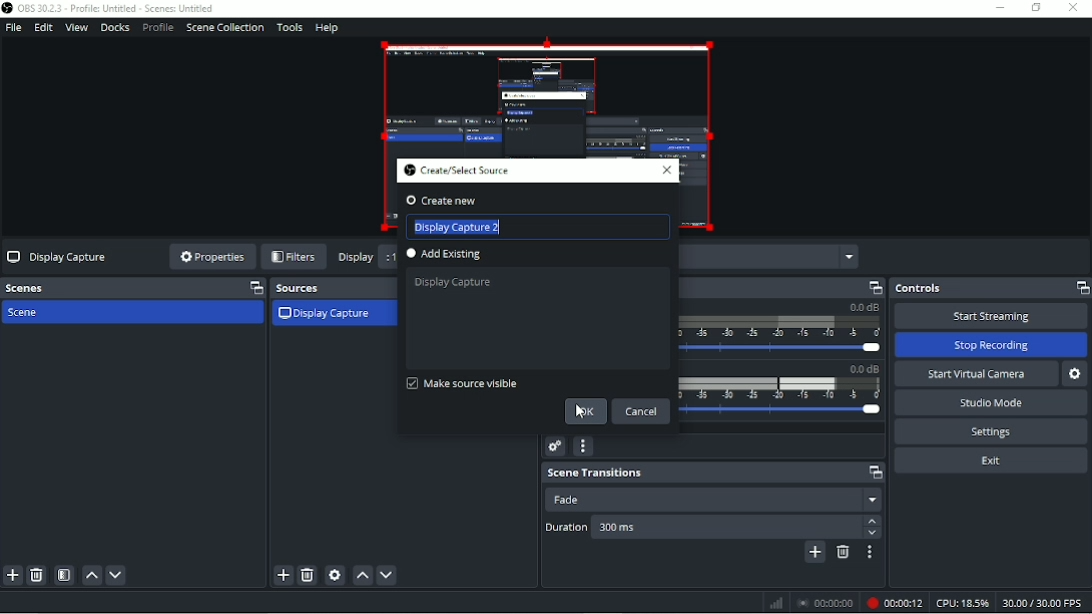  What do you see at coordinates (457, 169) in the screenshot?
I see `Create/select source` at bounding box center [457, 169].